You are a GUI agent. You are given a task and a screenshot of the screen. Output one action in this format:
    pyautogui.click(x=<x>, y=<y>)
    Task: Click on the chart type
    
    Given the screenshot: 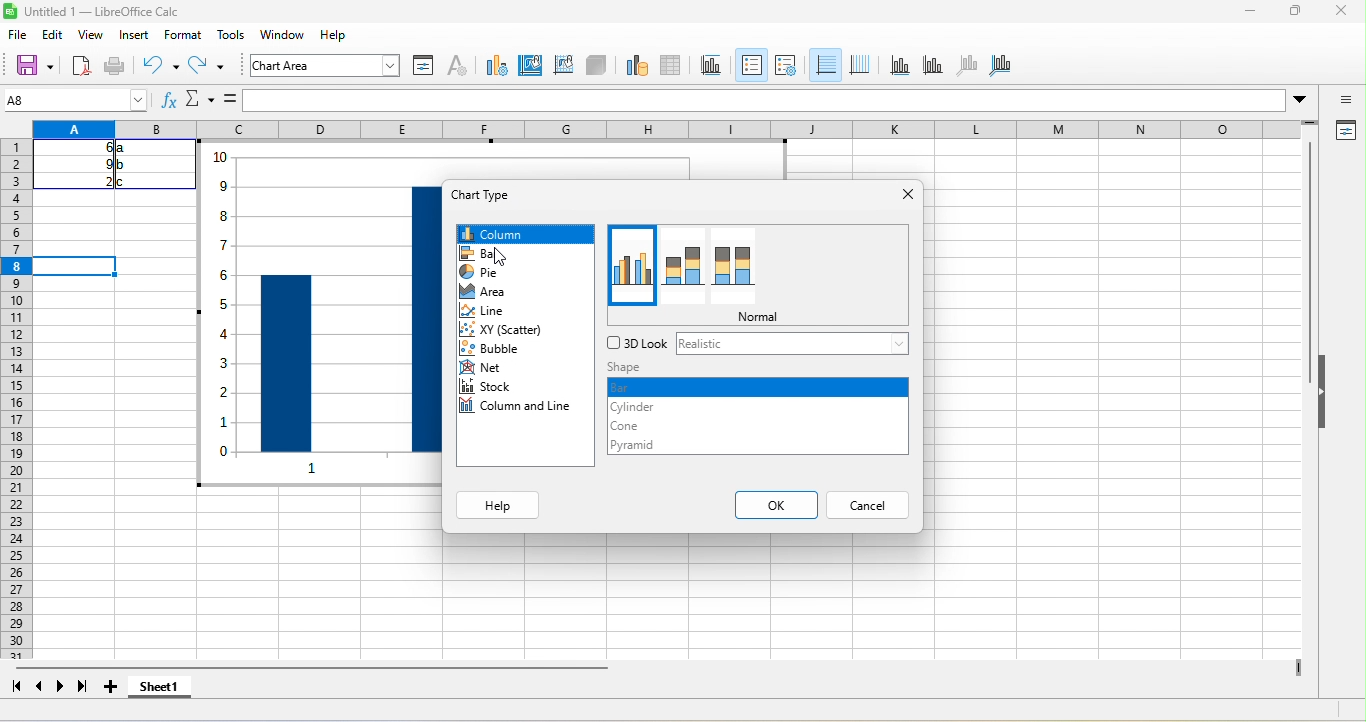 What is the action you would take?
    pyautogui.click(x=496, y=194)
    